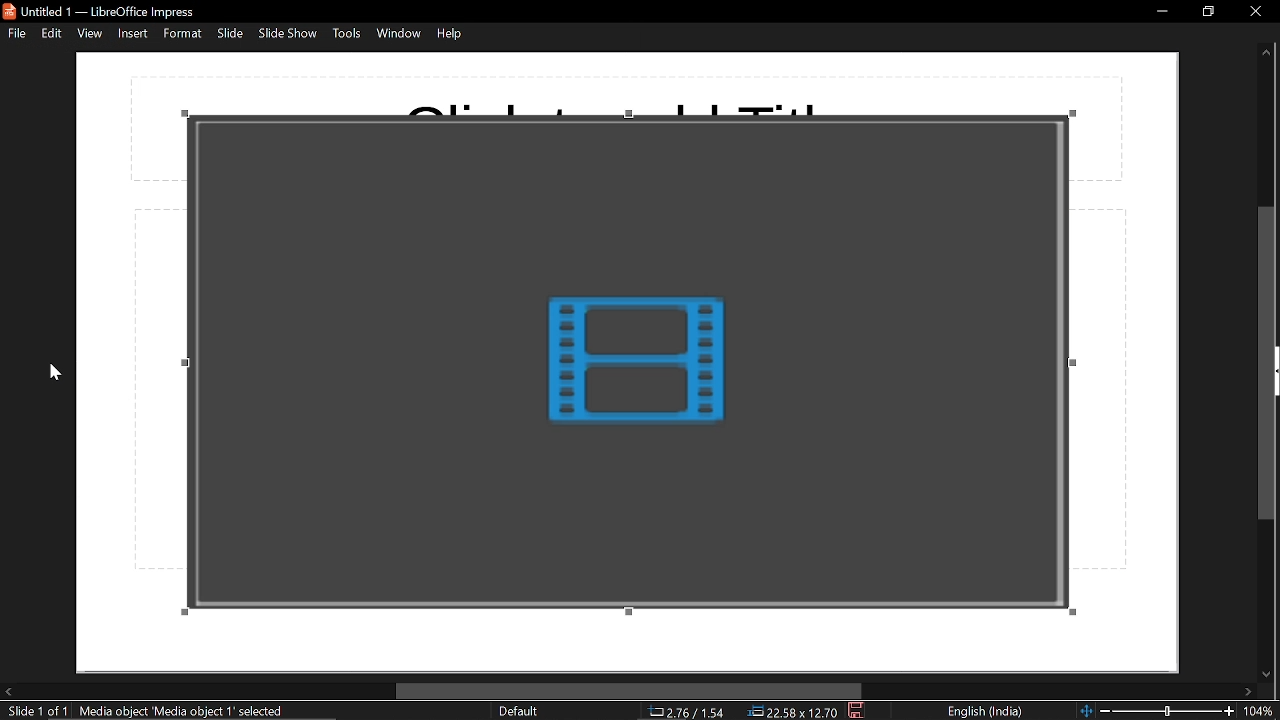 Image resolution: width=1280 pixels, height=720 pixels. Describe the element at coordinates (8, 692) in the screenshot. I see `move left` at that location.